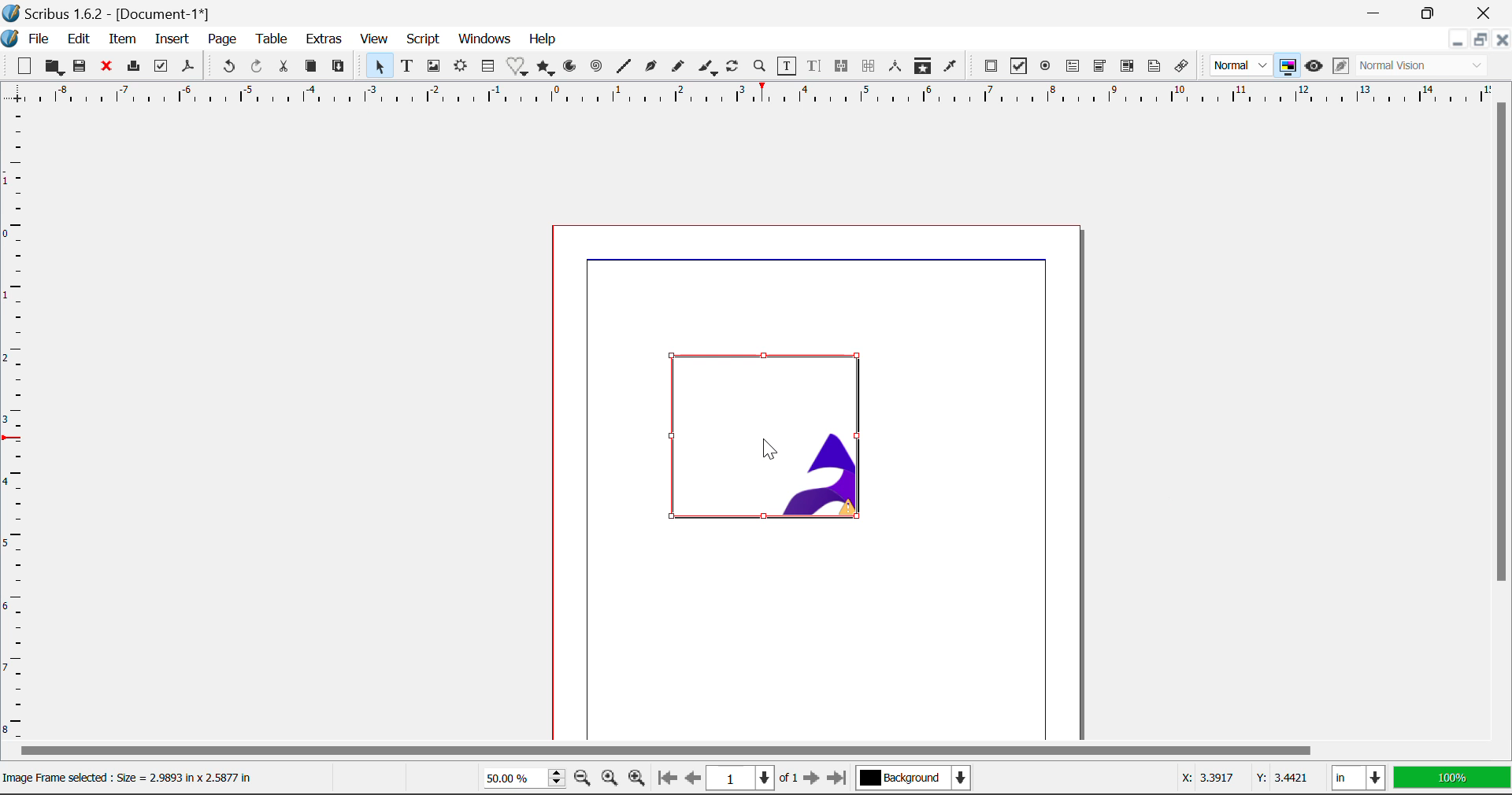 This screenshot has height=795, width=1512. Describe the element at coordinates (463, 68) in the screenshot. I see `Render Frame` at that location.